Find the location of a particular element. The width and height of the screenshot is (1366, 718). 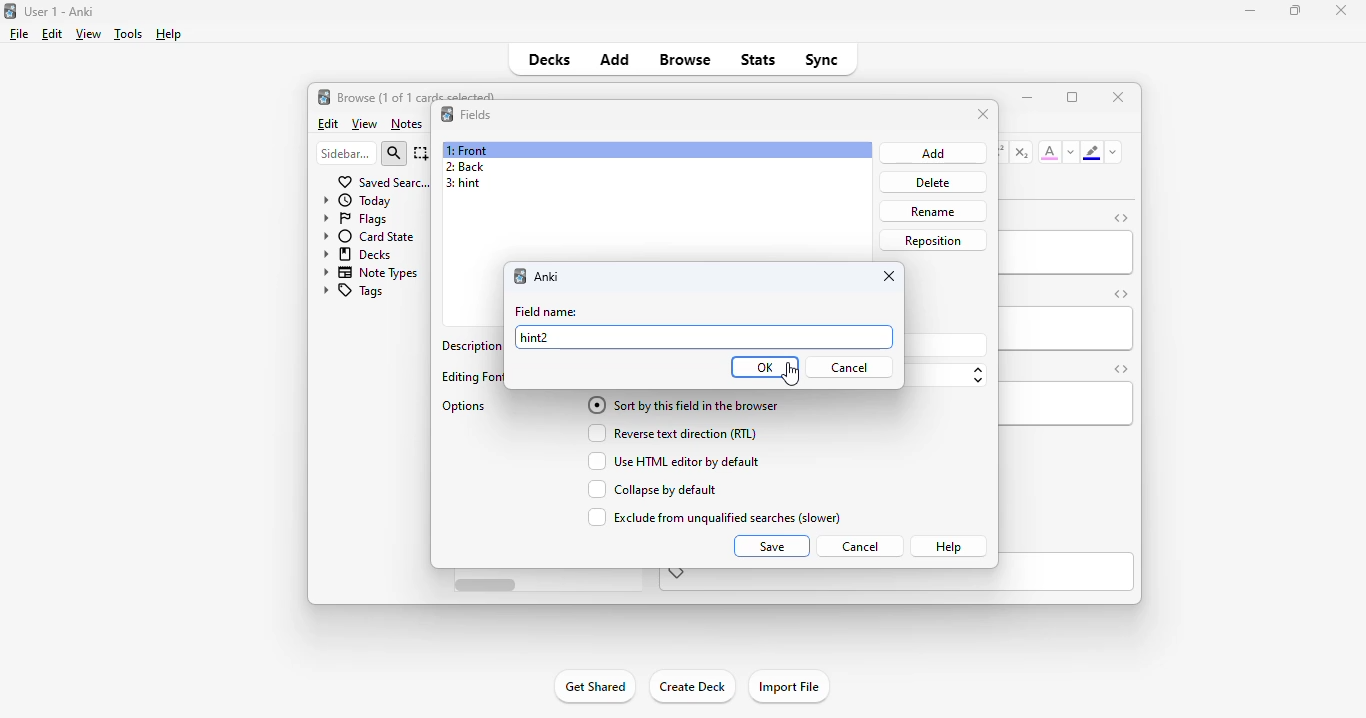

exclude from unqualified searches (slower) is located at coordinates (712, 517).